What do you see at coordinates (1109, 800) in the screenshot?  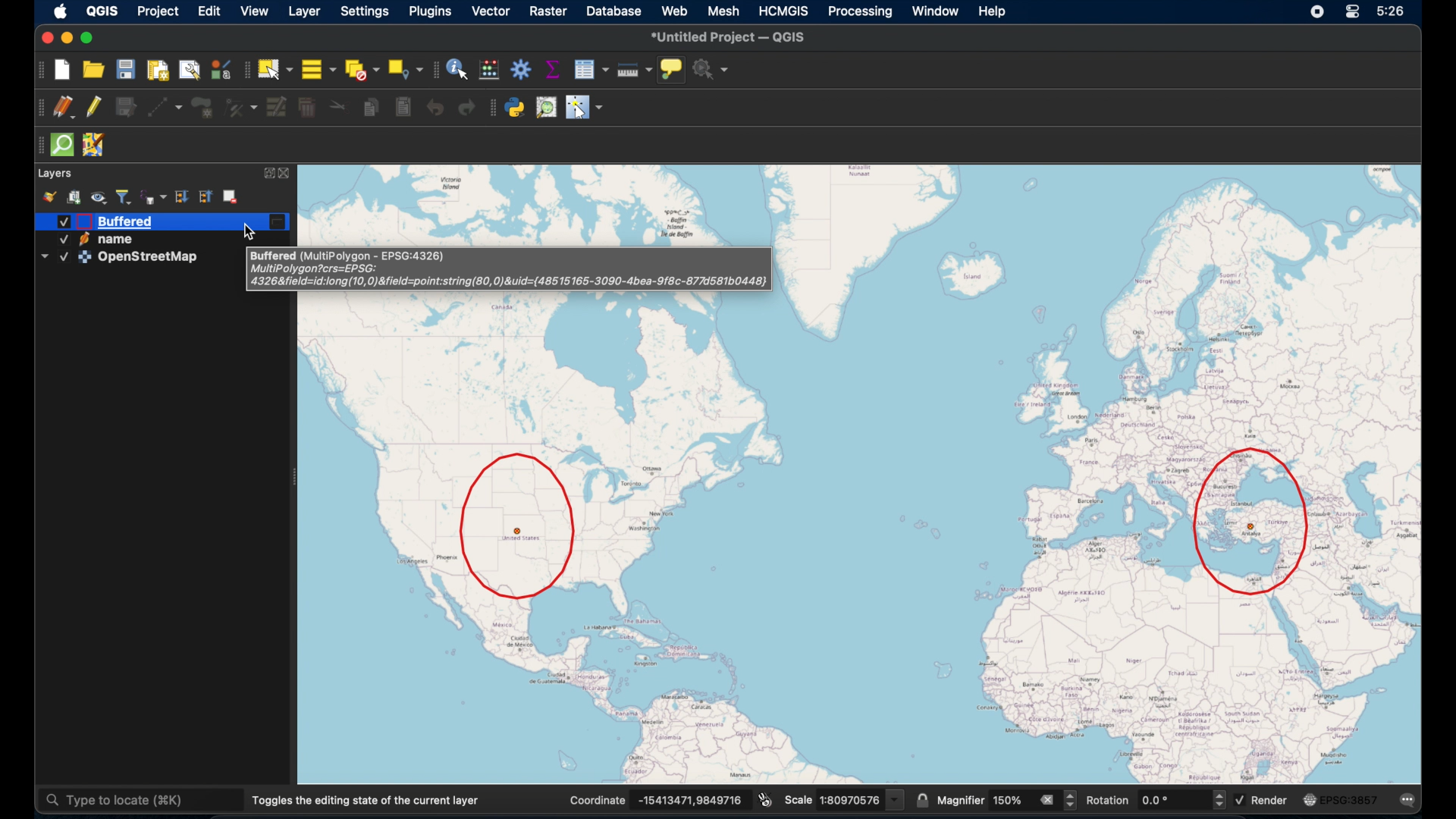 I see `rotation` at bounding box center [1109, 800].